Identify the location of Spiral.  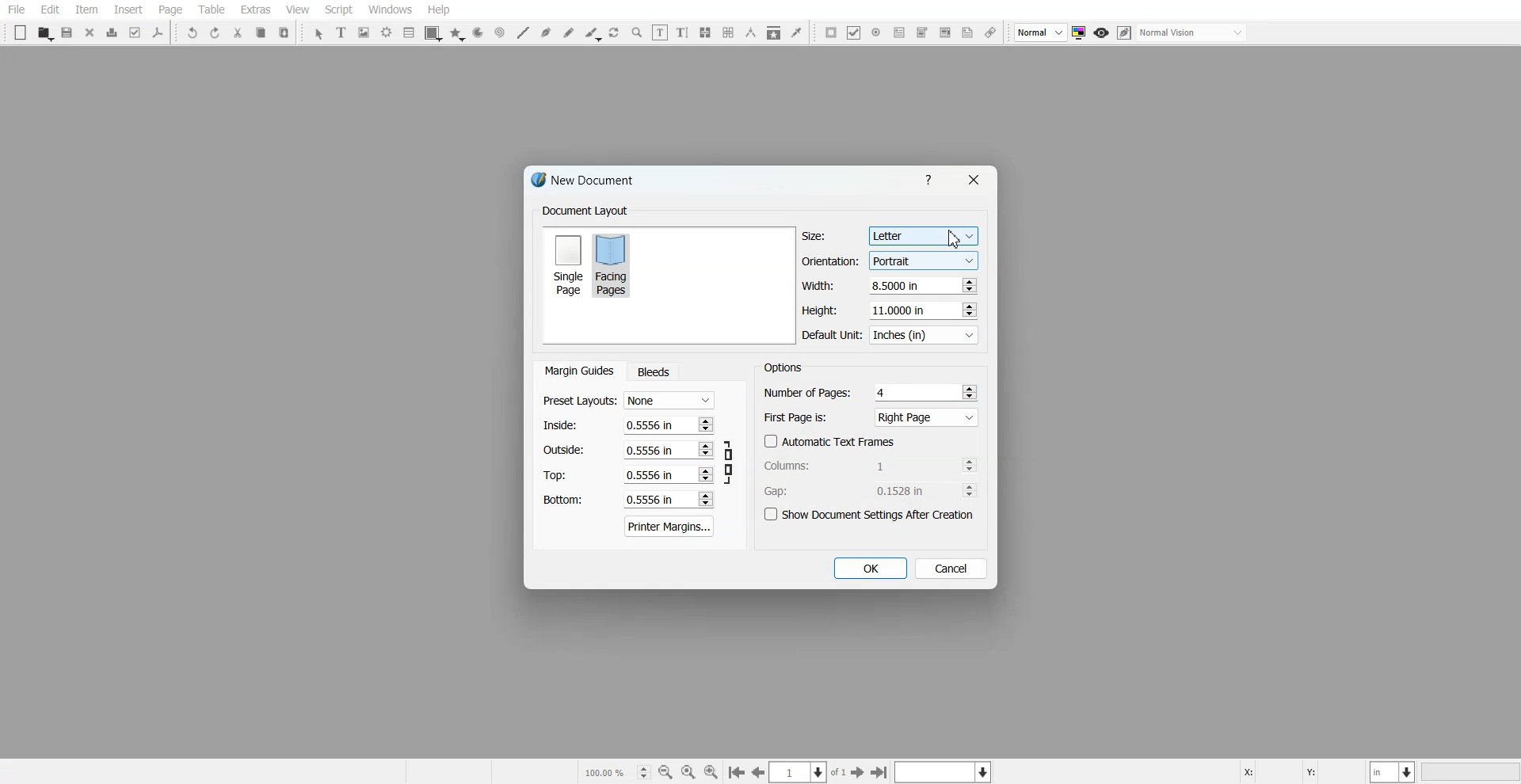
(499, 32).